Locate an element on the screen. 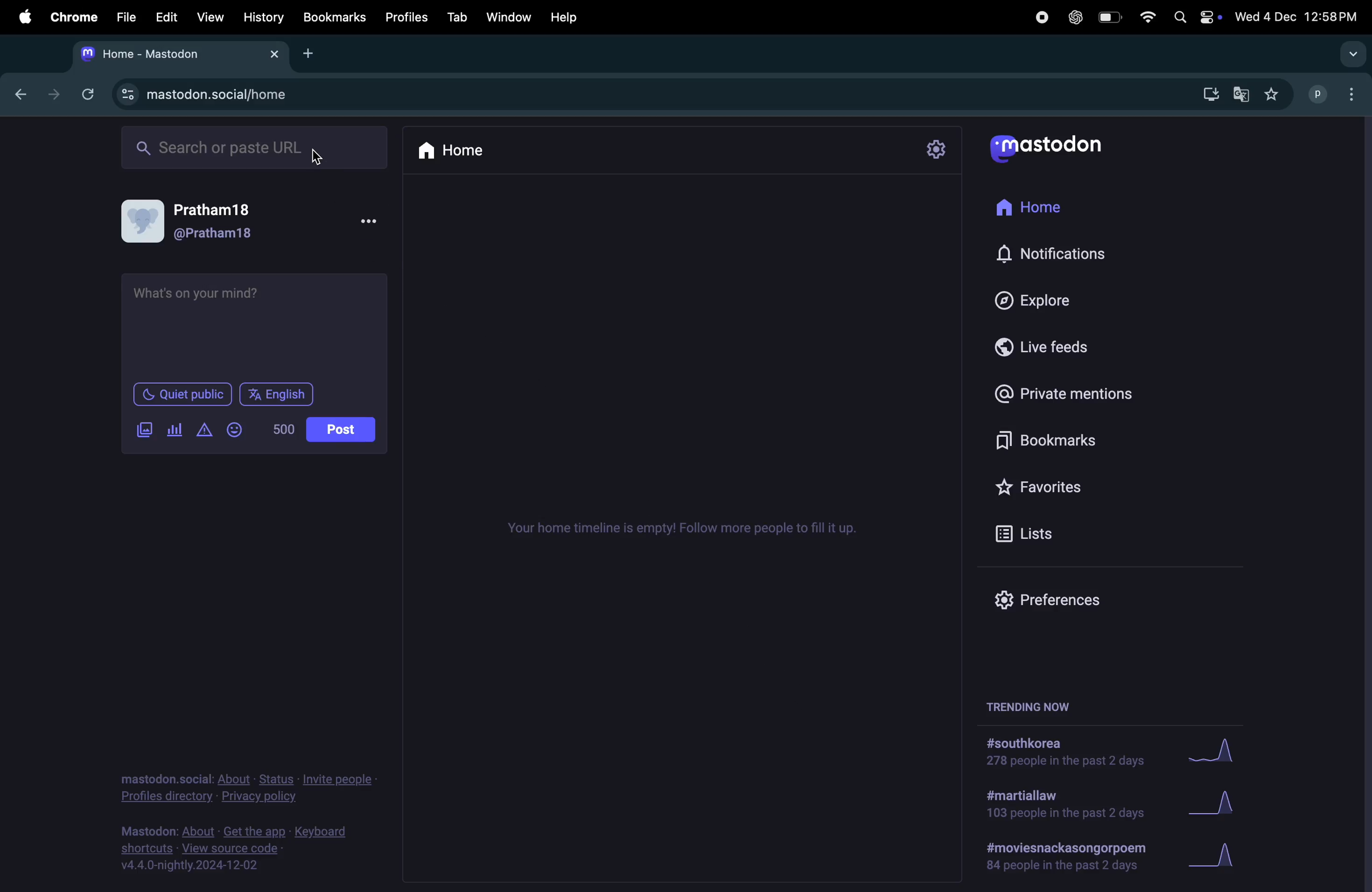 This screenshot has height=892, width=1372. emojis is located at coordinates (239, 430).